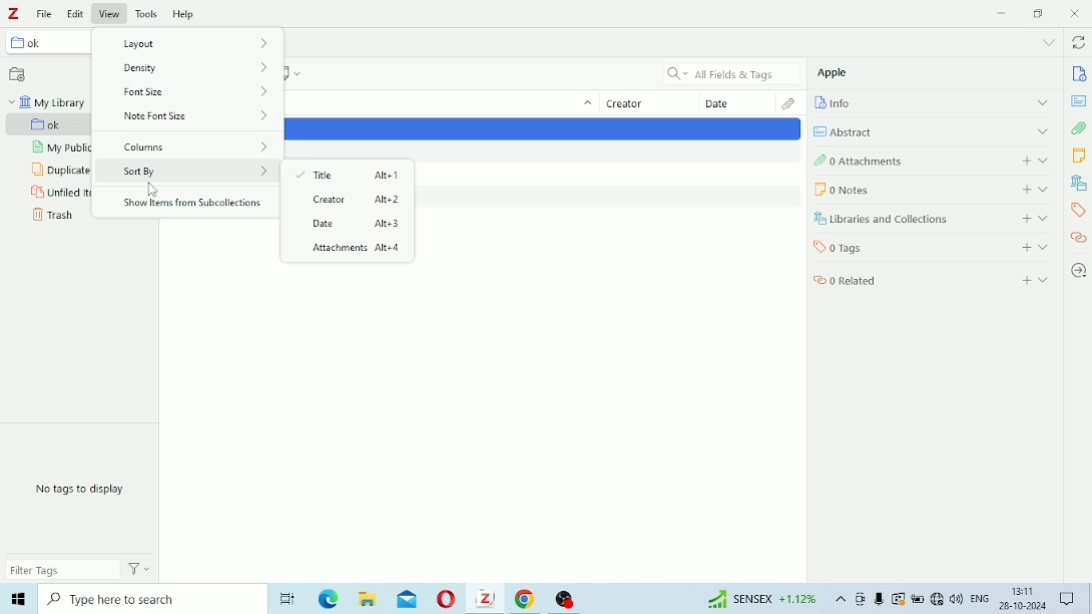 The image size is (1092, 614). I want to click on My Publications, so click(59, 149).